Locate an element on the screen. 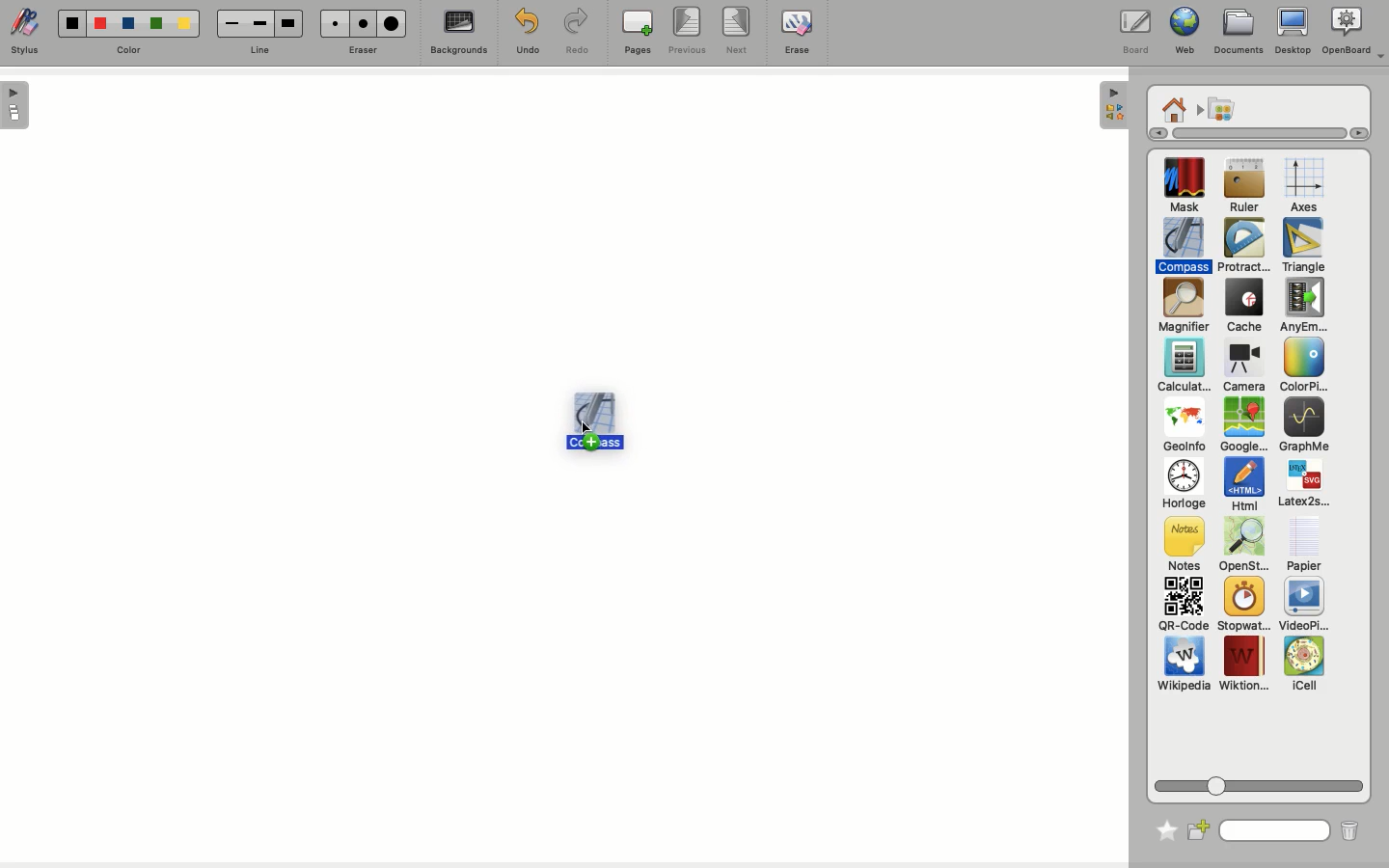 The image size is (1389, 868). Undo is located at coordinates (525, 31).